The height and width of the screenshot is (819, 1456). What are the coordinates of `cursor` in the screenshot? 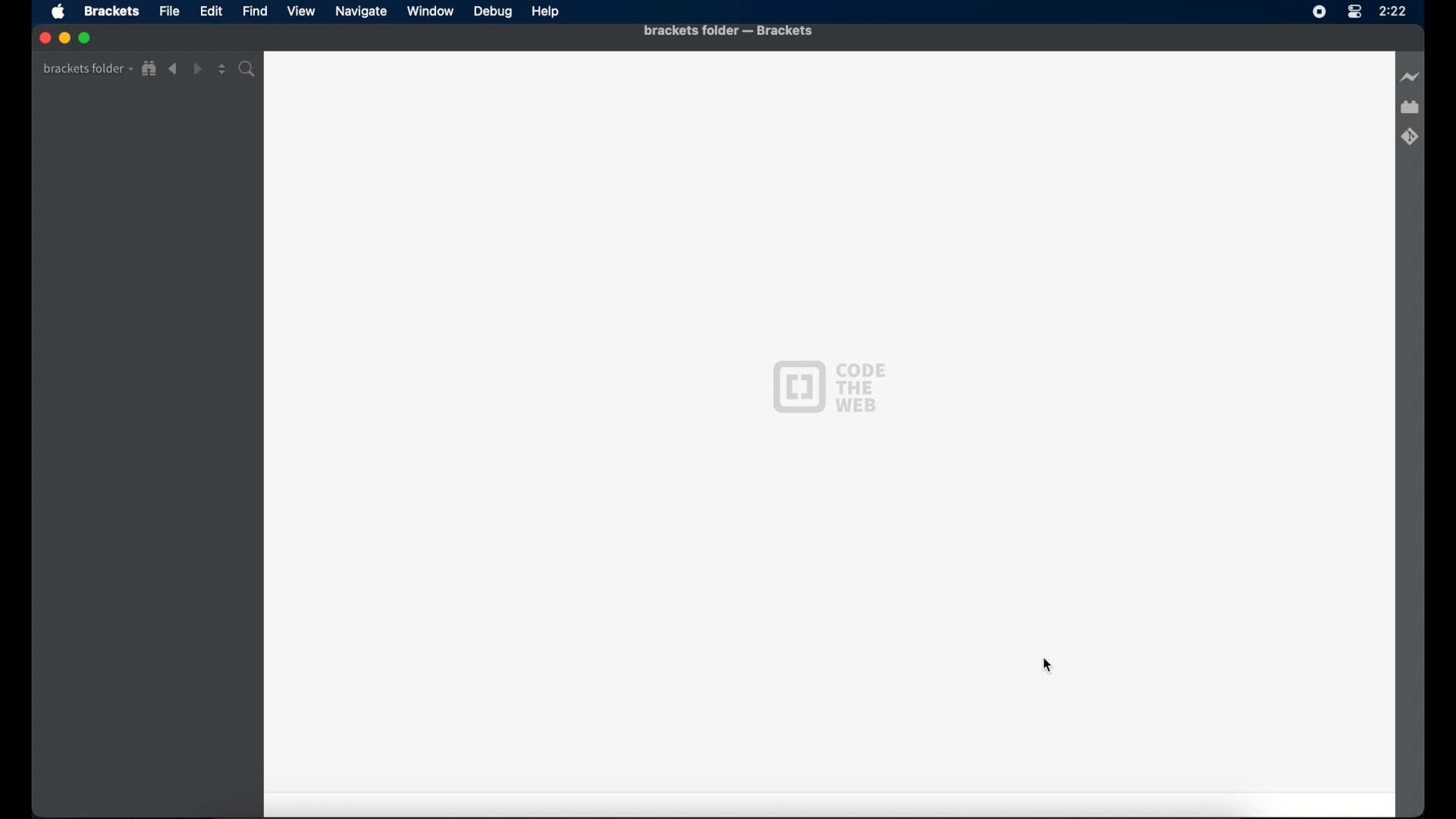 It's located at (1047, 667).